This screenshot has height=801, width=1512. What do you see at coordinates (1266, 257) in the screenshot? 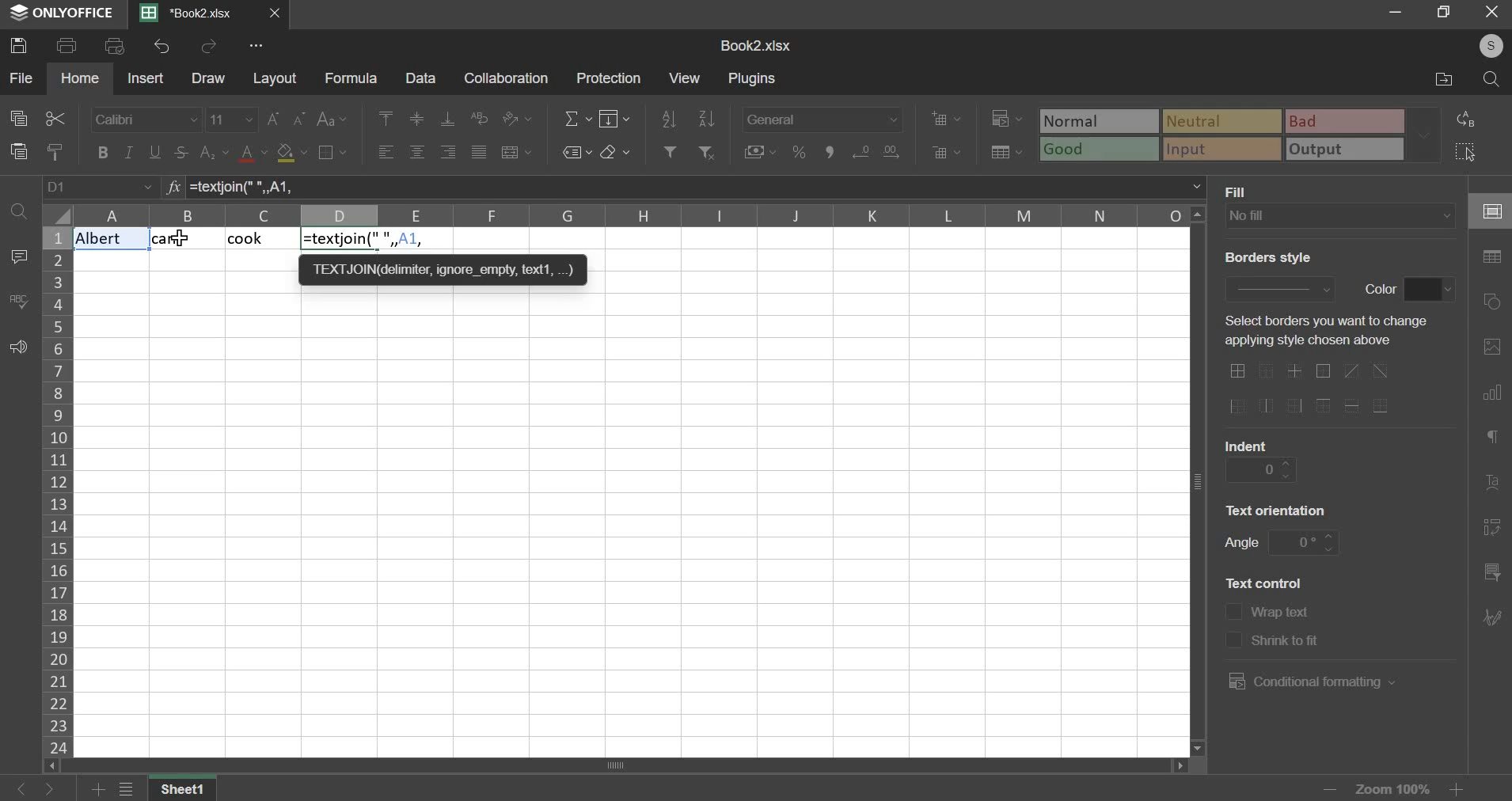
I see `text` at bounding box center [1266, 257].